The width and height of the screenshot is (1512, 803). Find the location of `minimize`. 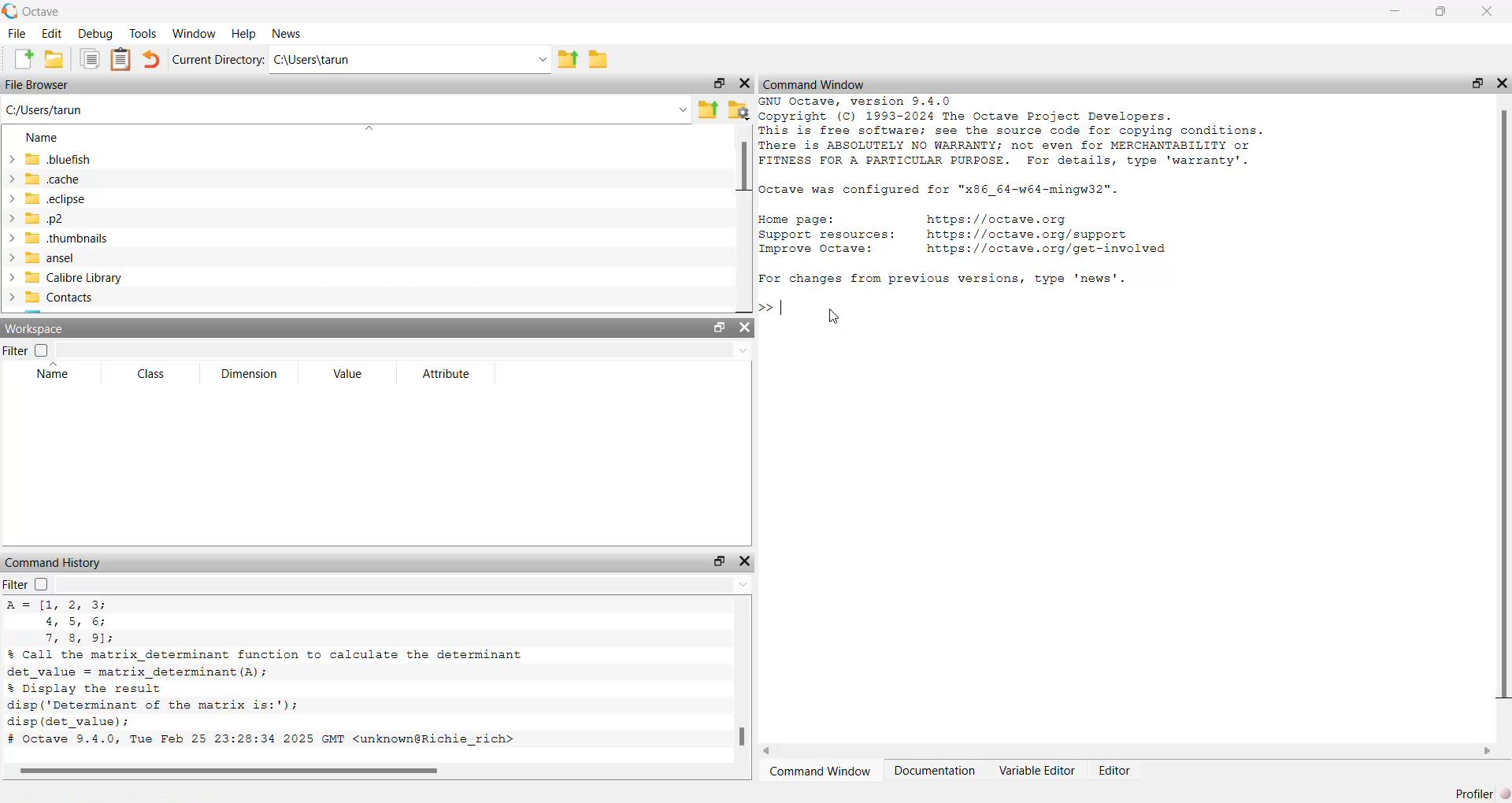

minimize is located at coordinates (1392, 13).